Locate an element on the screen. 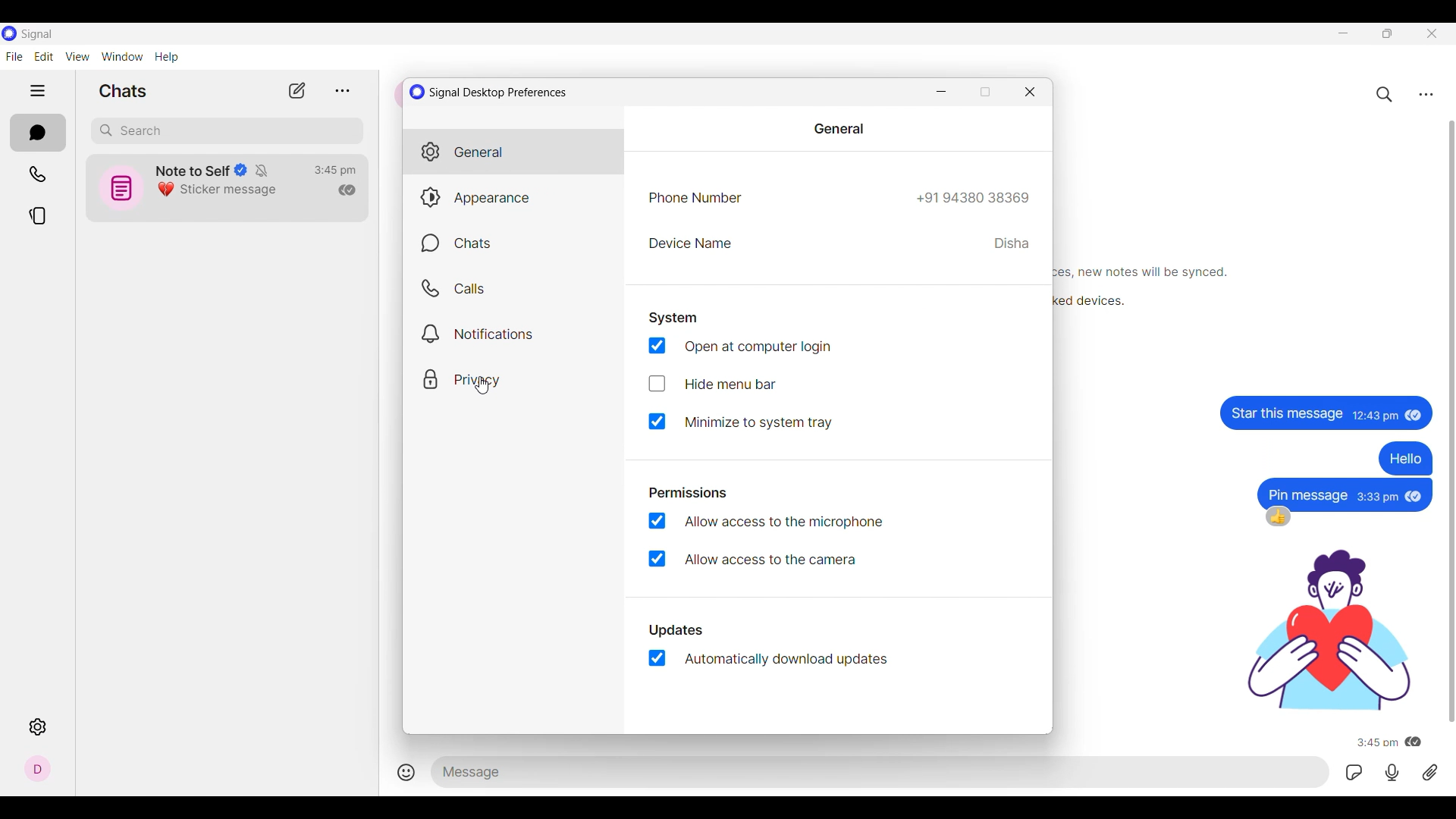  text message is located at coordinates (1307, 494).